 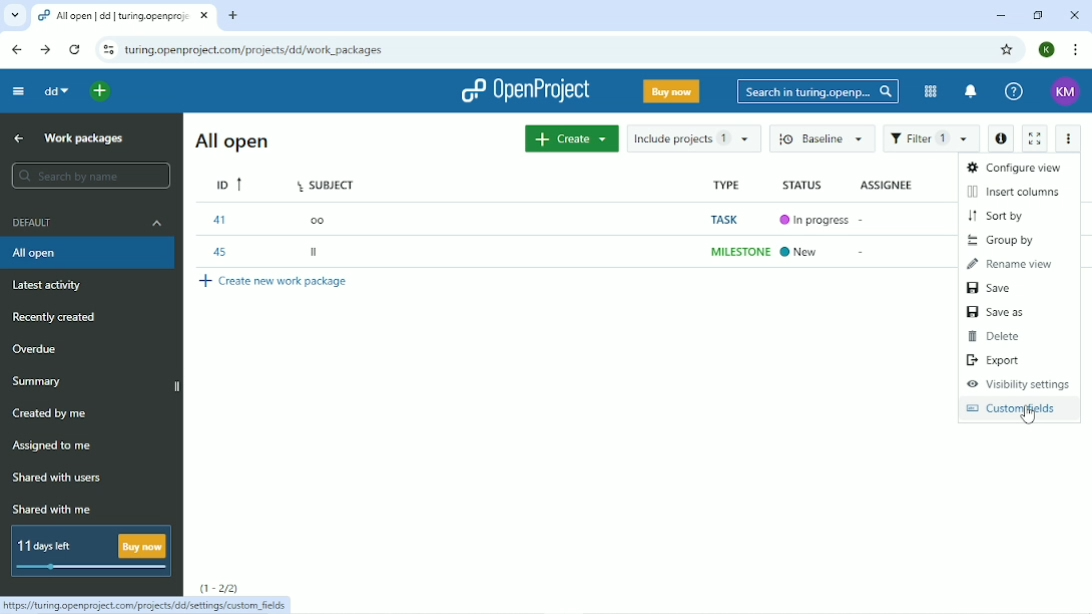 I want to click on Bookmark this tab, so click(x=1008, y=50).